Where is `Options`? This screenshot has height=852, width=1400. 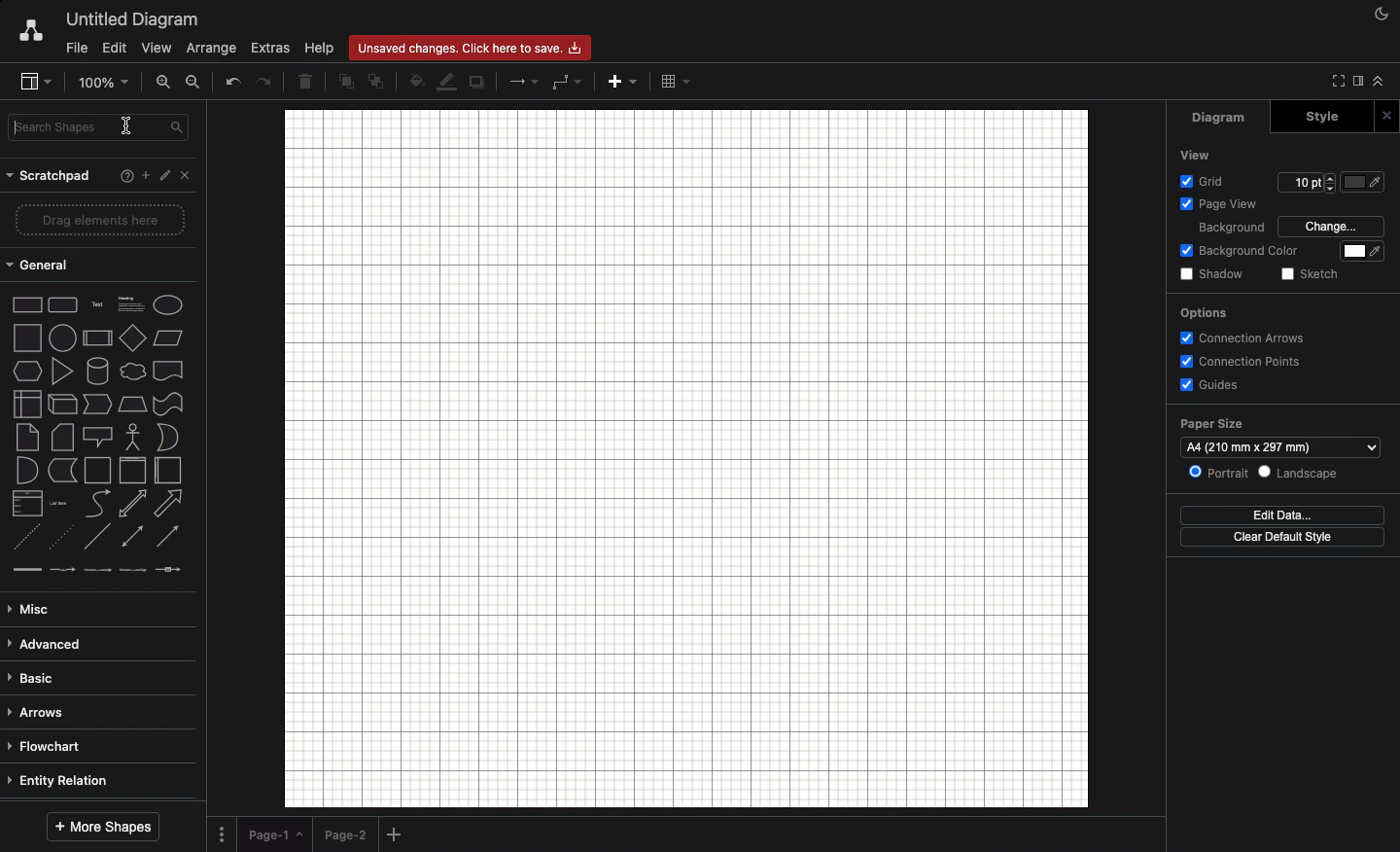
Options is located at coordinates (222, 833).